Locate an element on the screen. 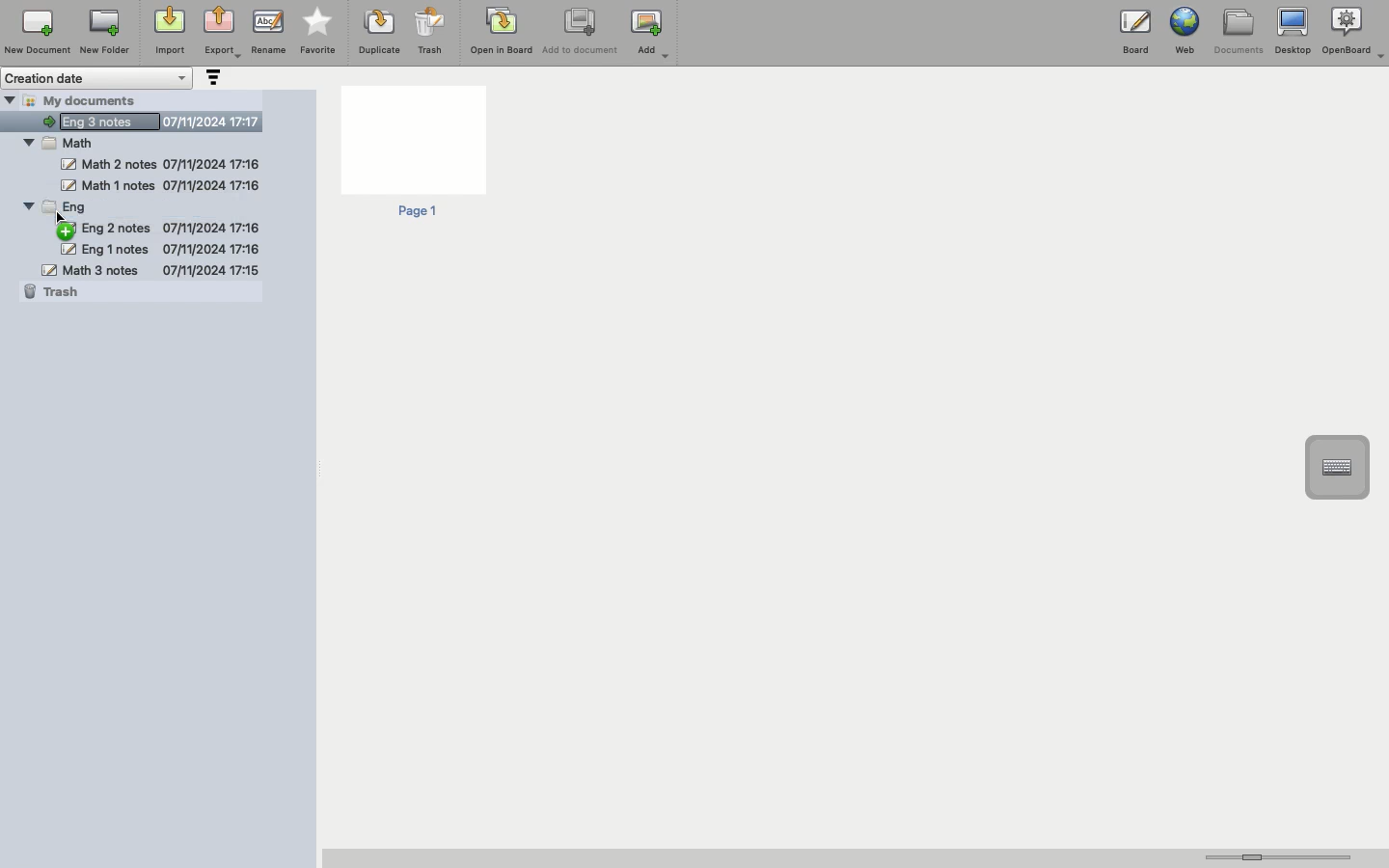  Eng is located at coordinates (65, 206).